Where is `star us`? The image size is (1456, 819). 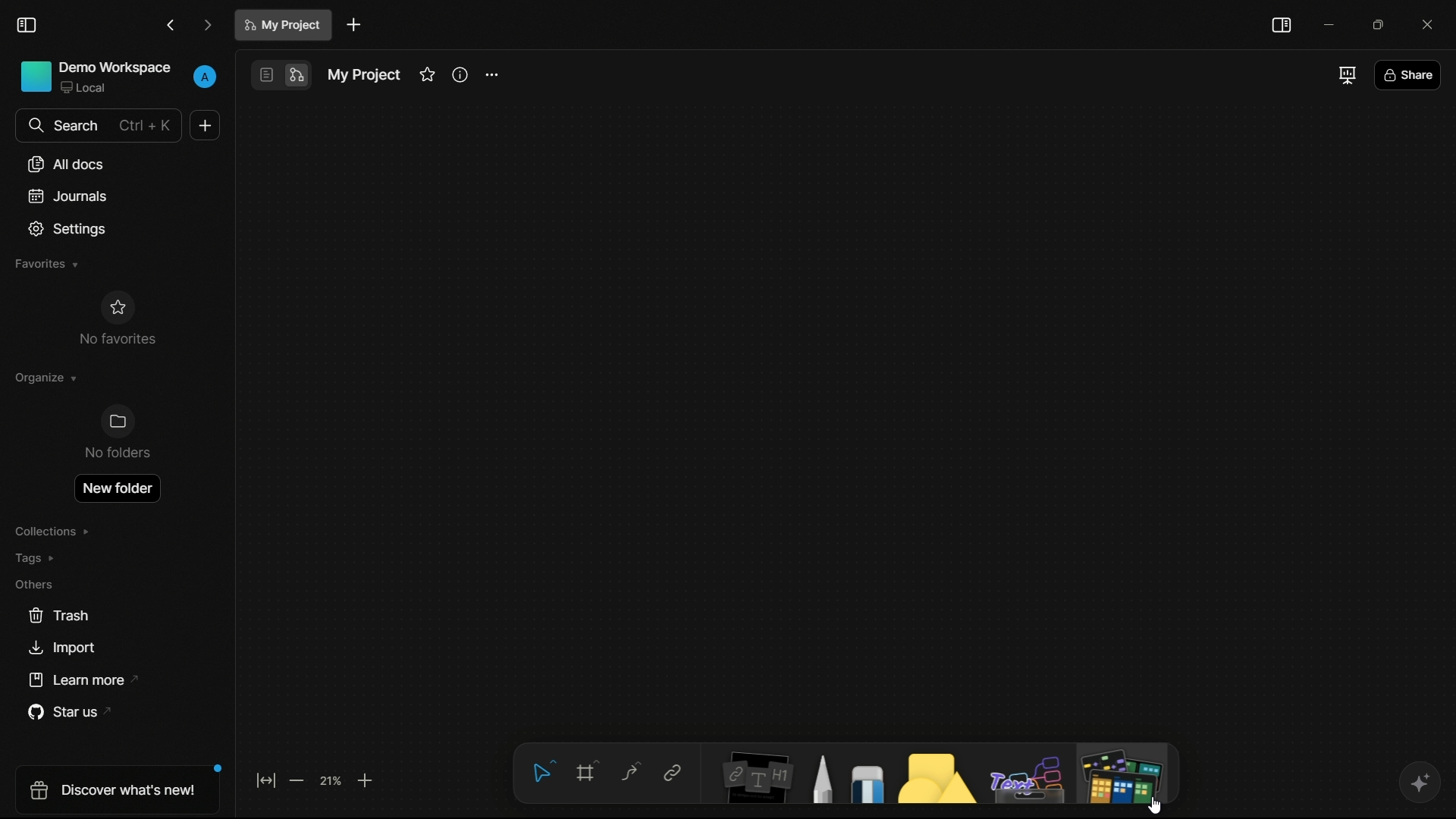 star us is located at coordinates (64, 712).